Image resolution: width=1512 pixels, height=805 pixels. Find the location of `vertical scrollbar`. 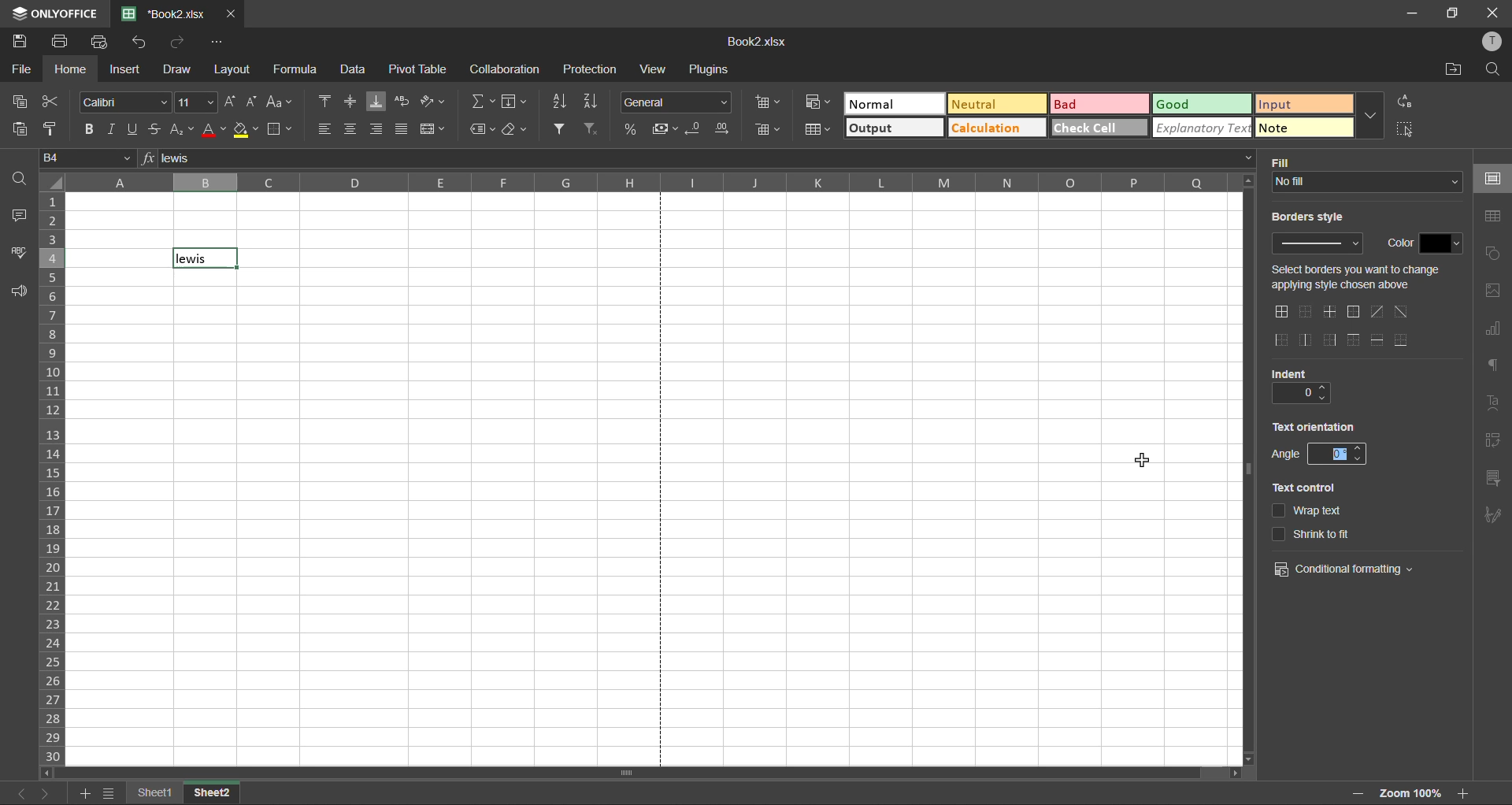

vertical scrollbar is located at coordinates (1243, 469).